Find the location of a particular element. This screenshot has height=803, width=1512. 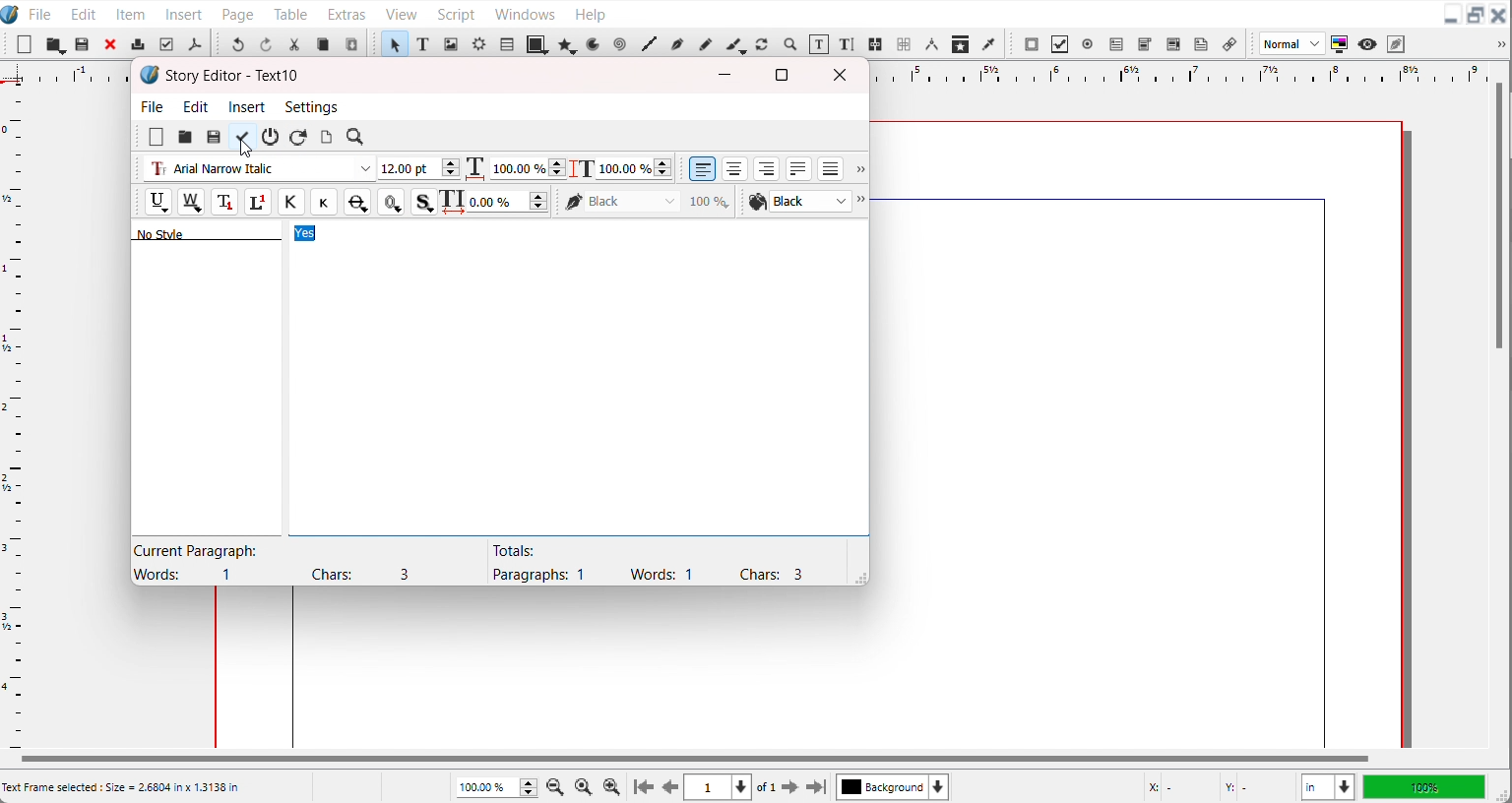

Image Frame is located at coordinates (451, 43).